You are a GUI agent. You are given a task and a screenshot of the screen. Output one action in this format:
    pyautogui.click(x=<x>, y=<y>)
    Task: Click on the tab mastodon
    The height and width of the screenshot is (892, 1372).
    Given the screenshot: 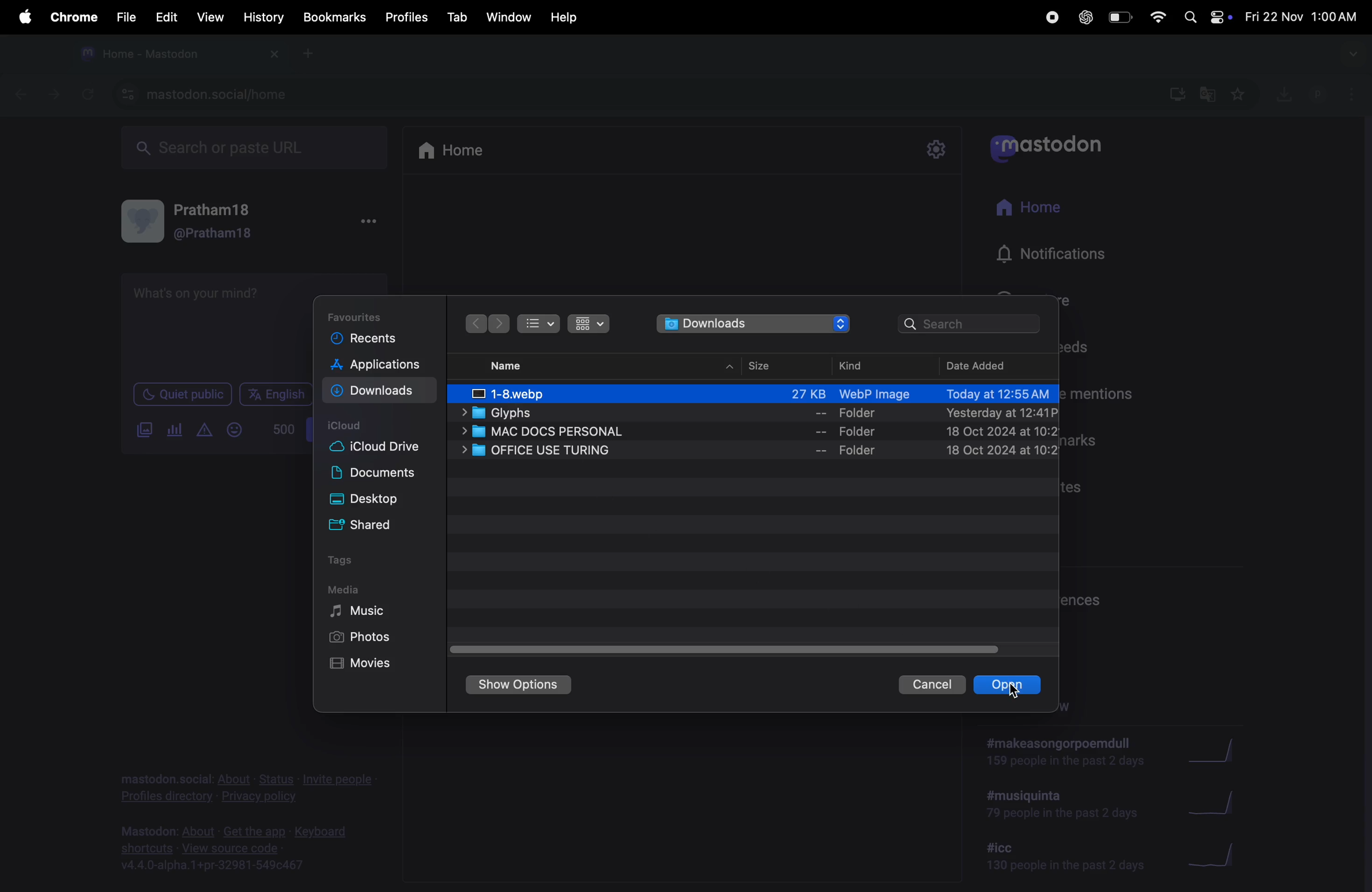 What is the action you would take?
    pyautogui.click(x=163, y=54)
    